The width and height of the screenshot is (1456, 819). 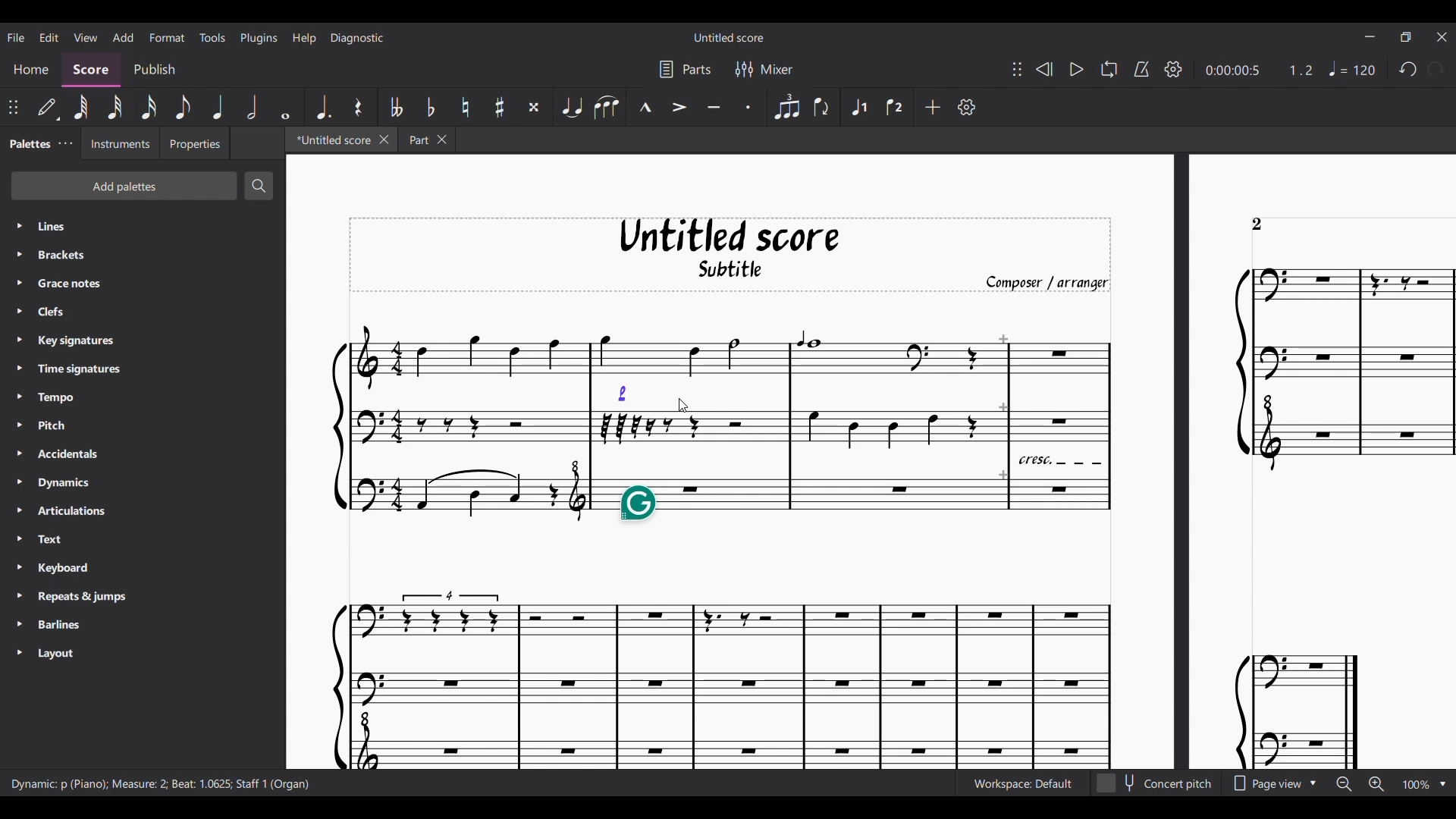 I want to click on Tie, so click(x=571, y=107).